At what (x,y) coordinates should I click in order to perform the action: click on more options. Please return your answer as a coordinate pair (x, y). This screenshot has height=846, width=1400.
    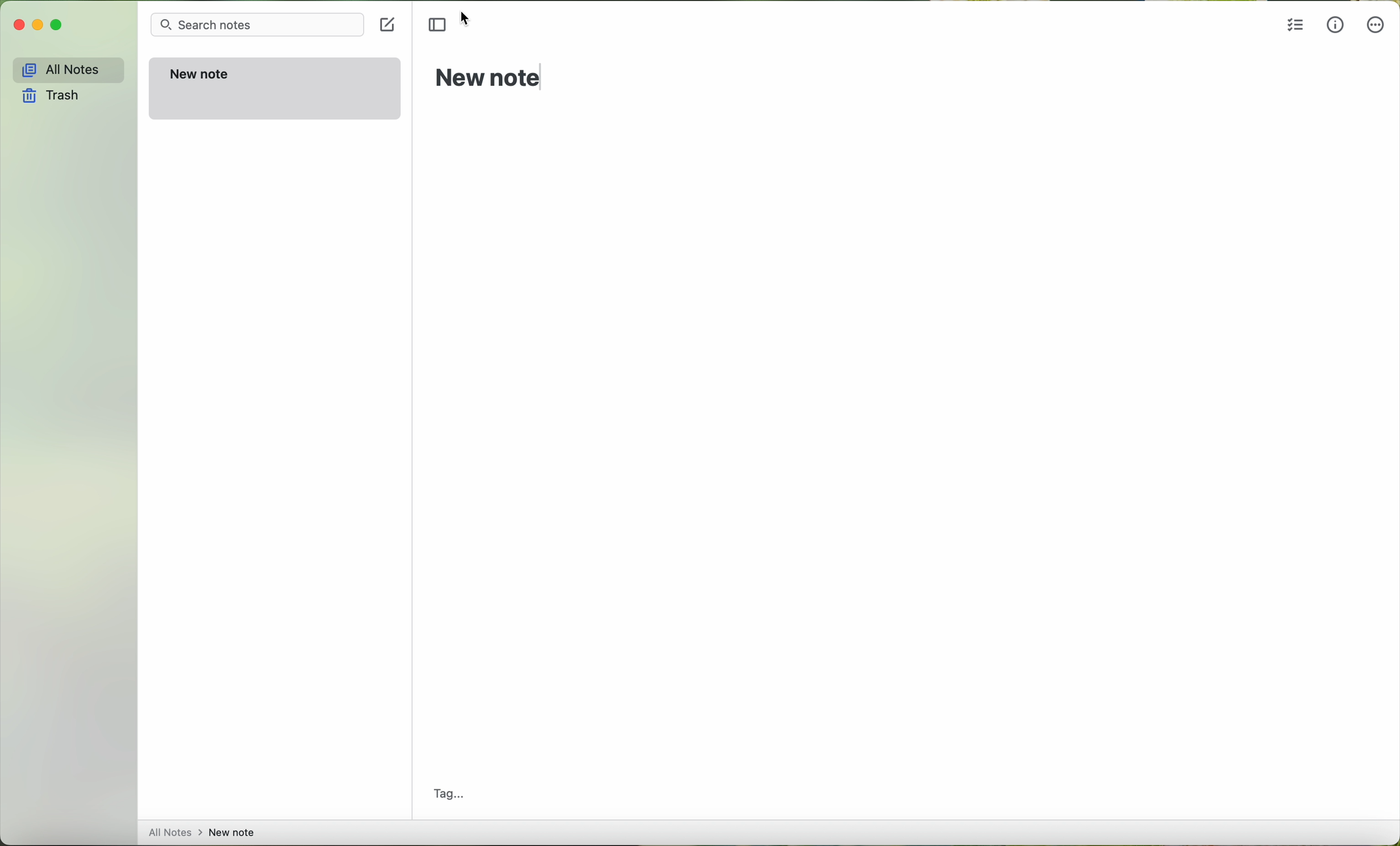
    Looking at the image, I should click on (1377, 24).